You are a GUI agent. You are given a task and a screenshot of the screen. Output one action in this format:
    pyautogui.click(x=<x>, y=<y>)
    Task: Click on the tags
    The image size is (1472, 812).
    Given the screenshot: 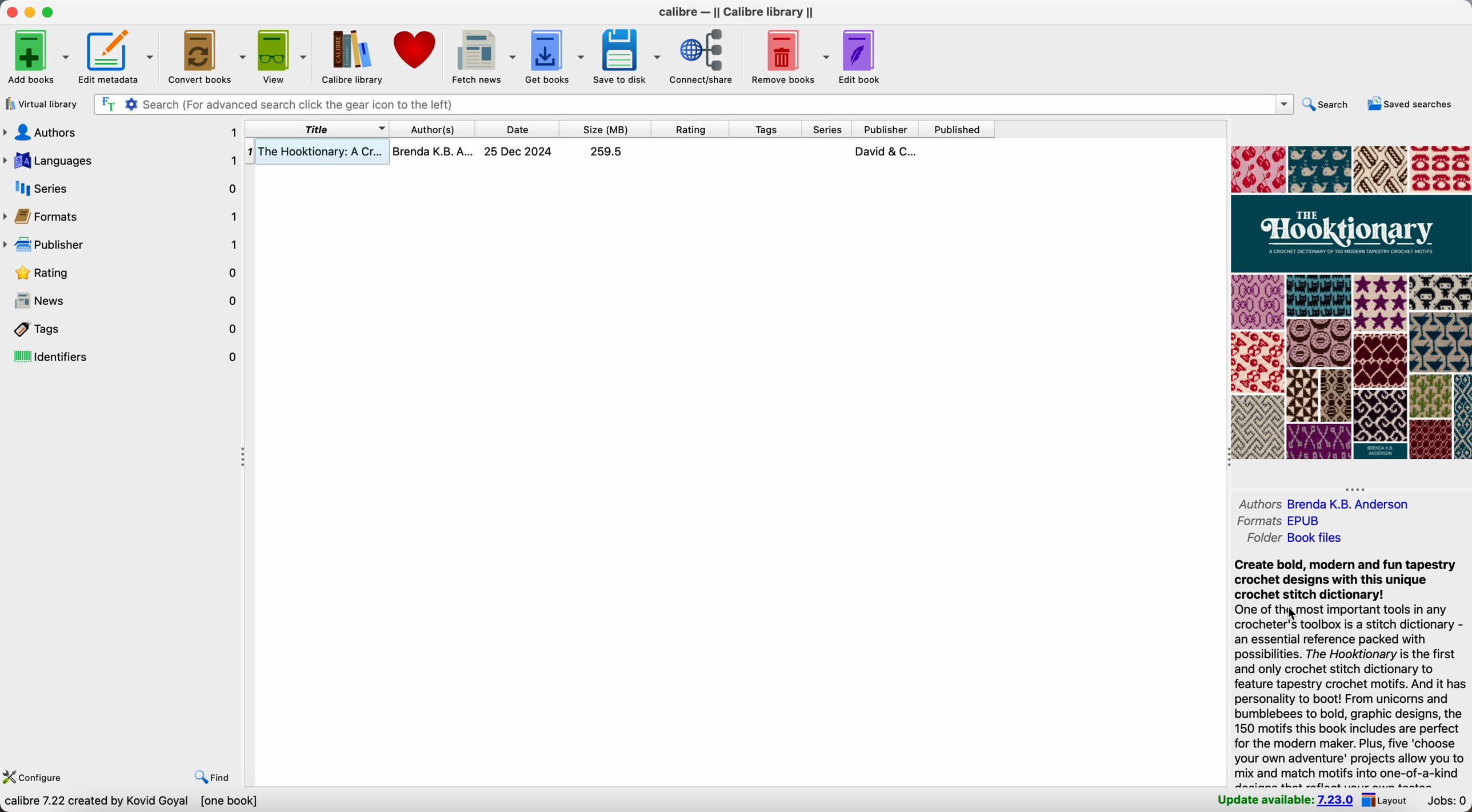 What is the action you would take?
    pyautogui.click(x=766, y=129)
    